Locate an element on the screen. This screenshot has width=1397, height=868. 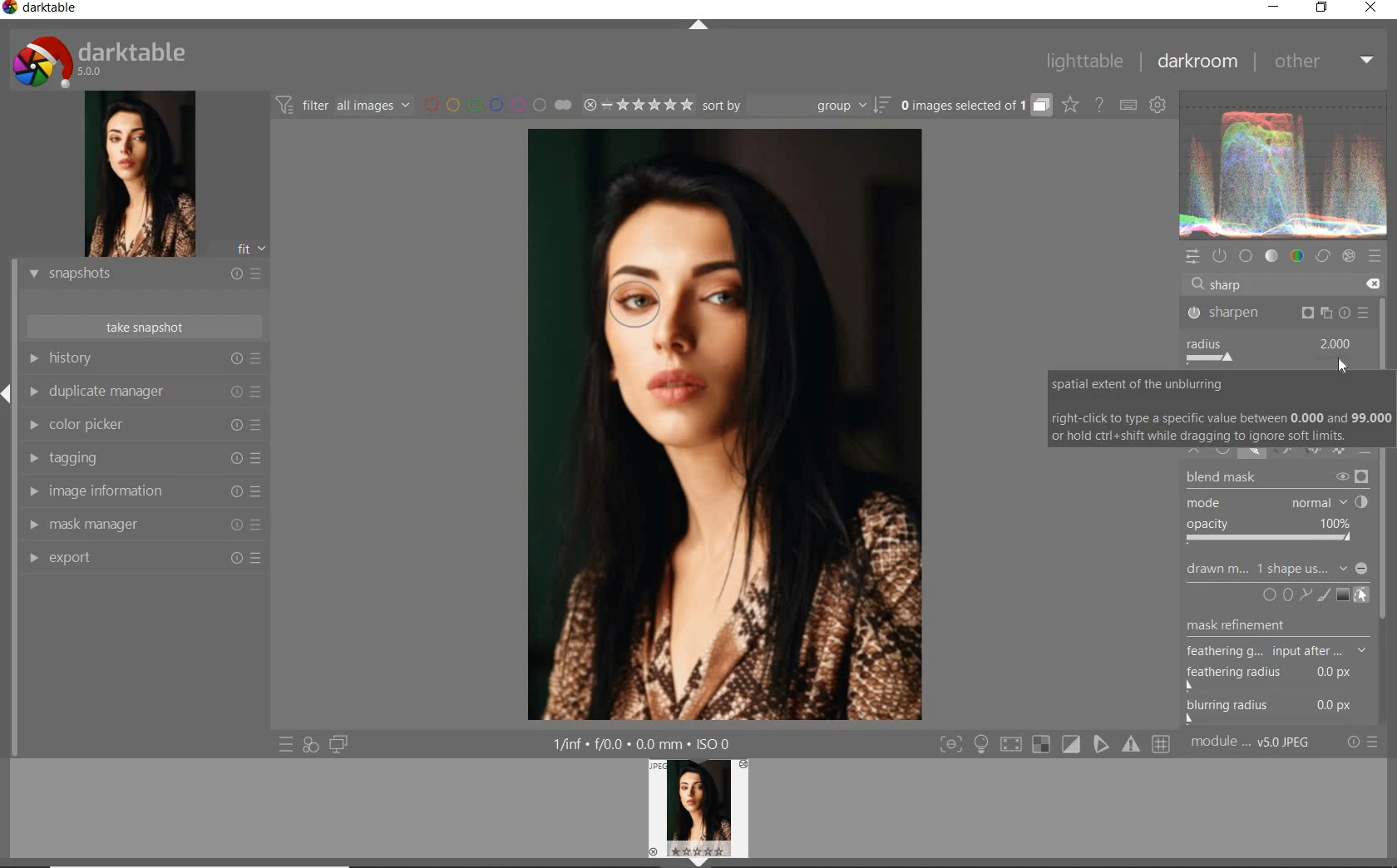
sort is located at coordinates (797, 105).